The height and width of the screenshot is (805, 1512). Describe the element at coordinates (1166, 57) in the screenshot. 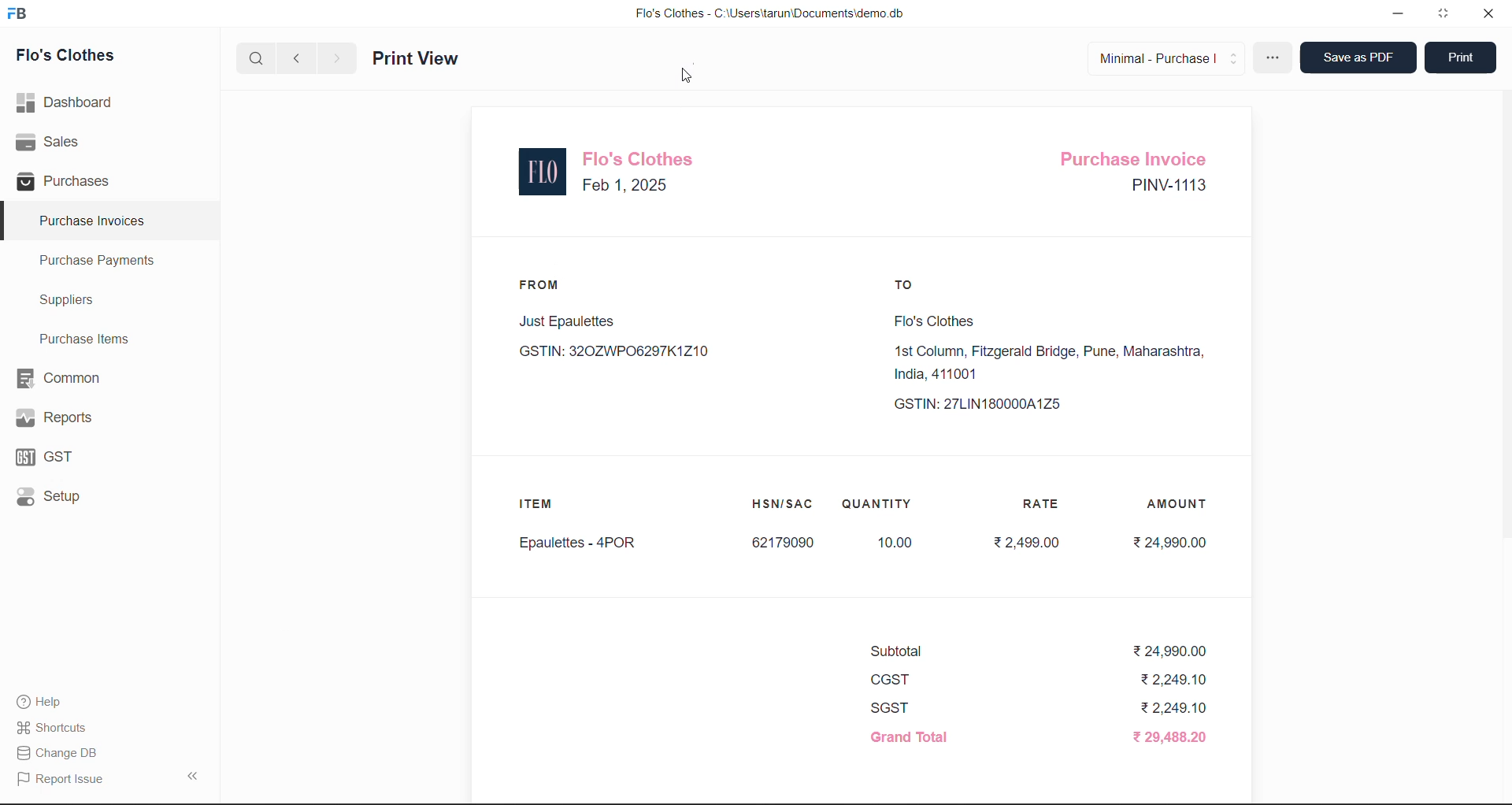

I see `Minimal - Purchase |` at that location.